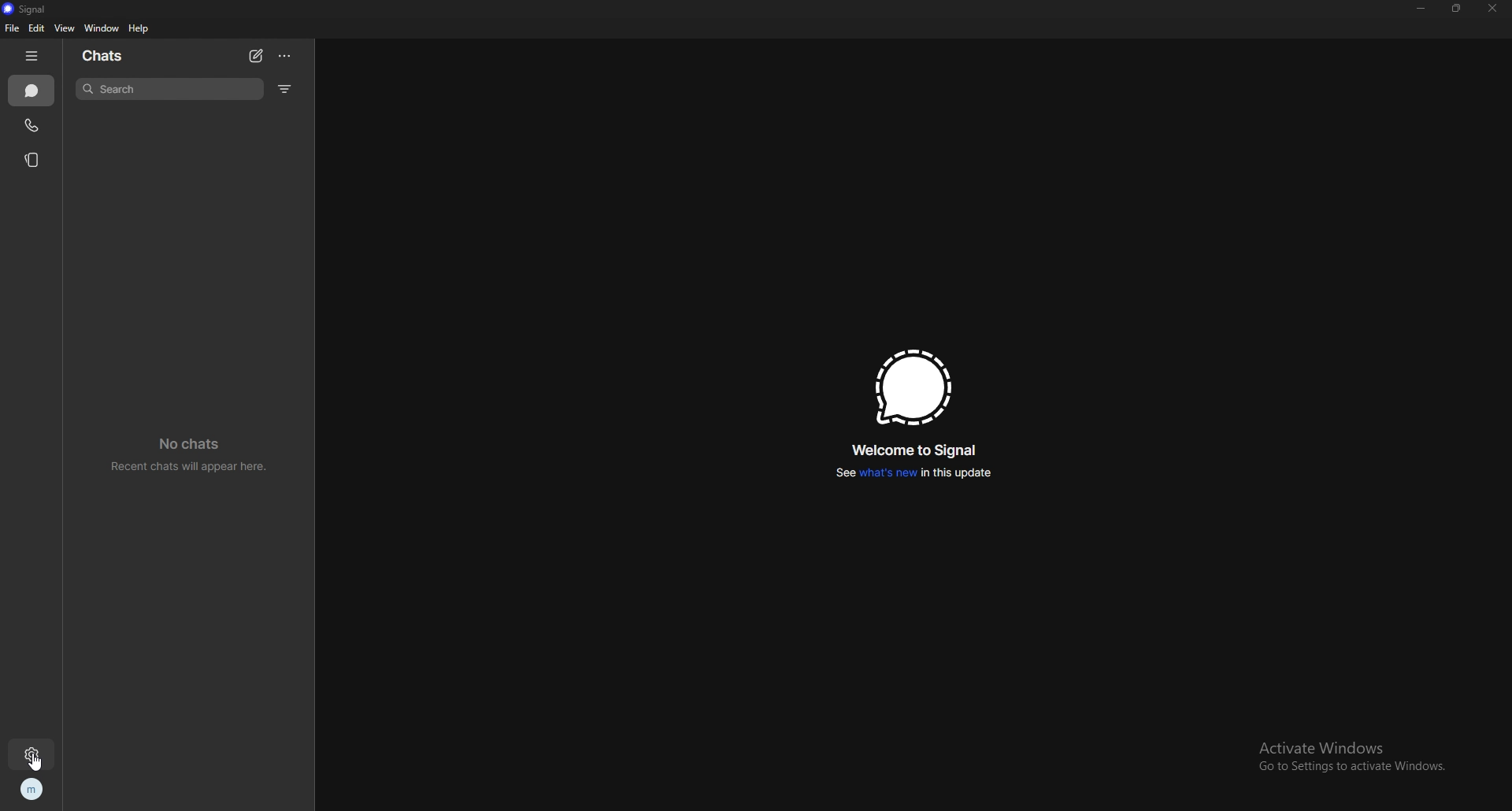  I want to click on welcome to signal, so click(919, 450).